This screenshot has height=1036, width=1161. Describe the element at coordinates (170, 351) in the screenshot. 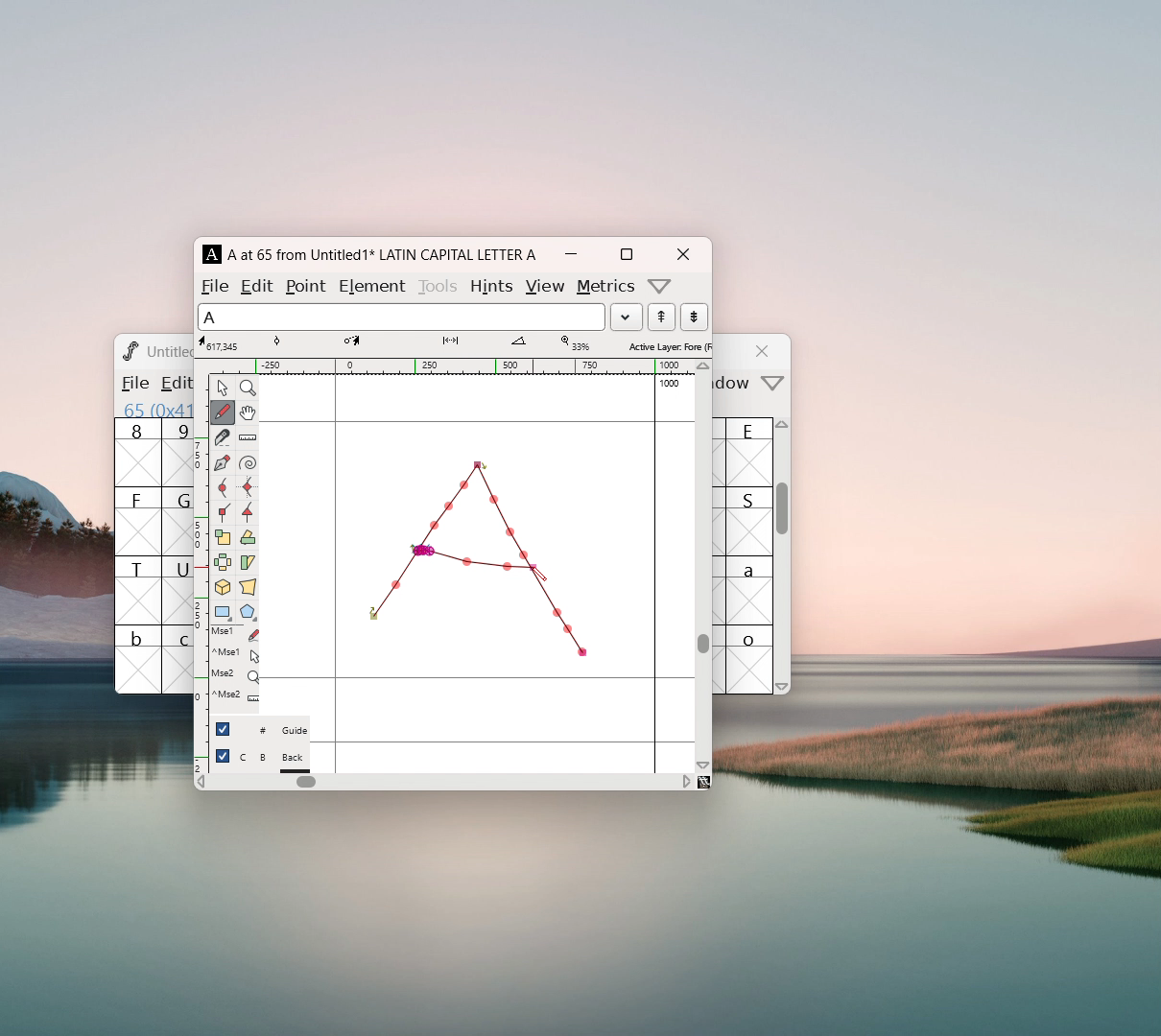

I see `Untitled? Untitled1.sfd (1508859-1)` at that location.